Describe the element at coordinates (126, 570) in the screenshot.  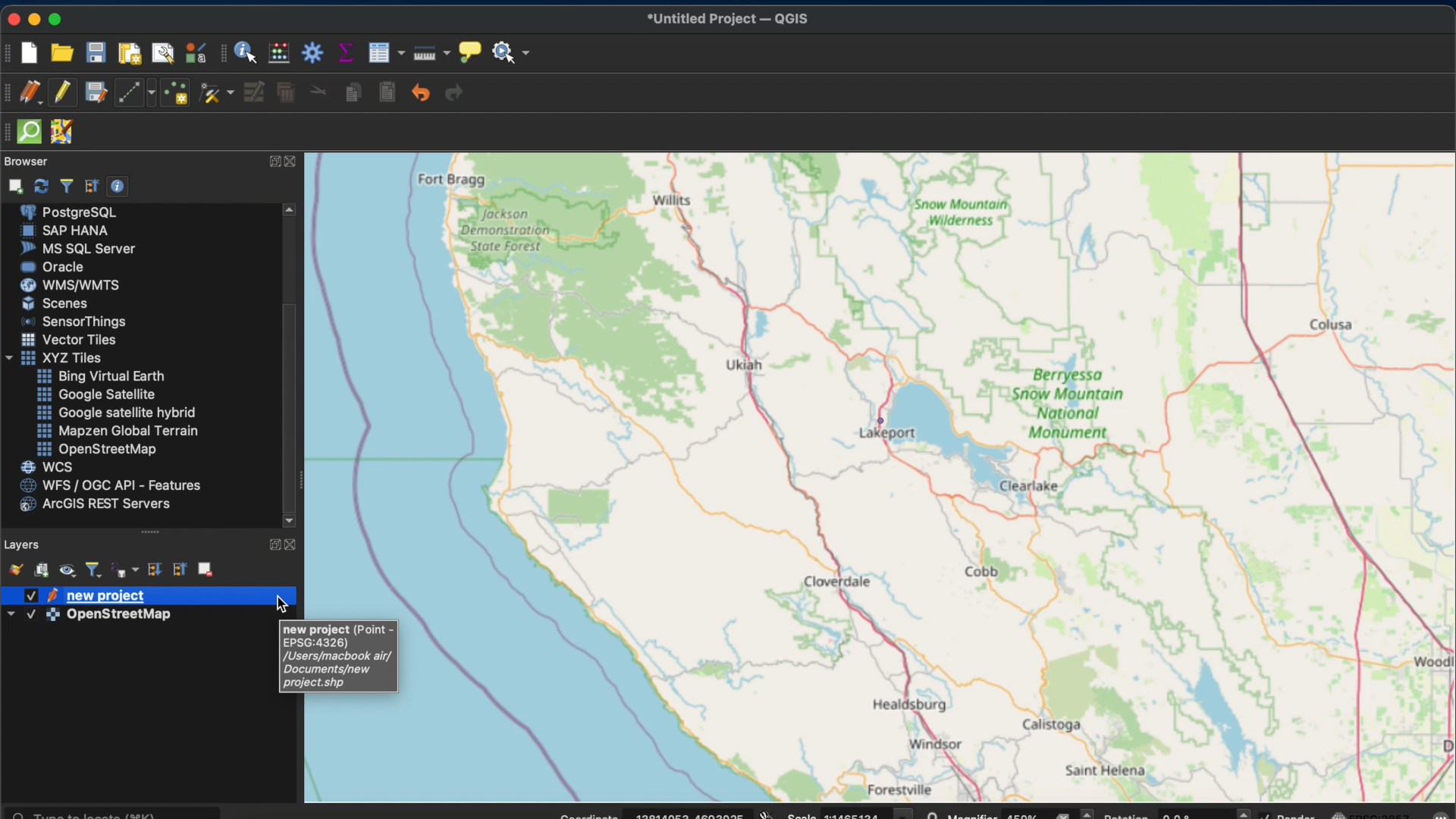
I see `filter legen by expression` at that location.